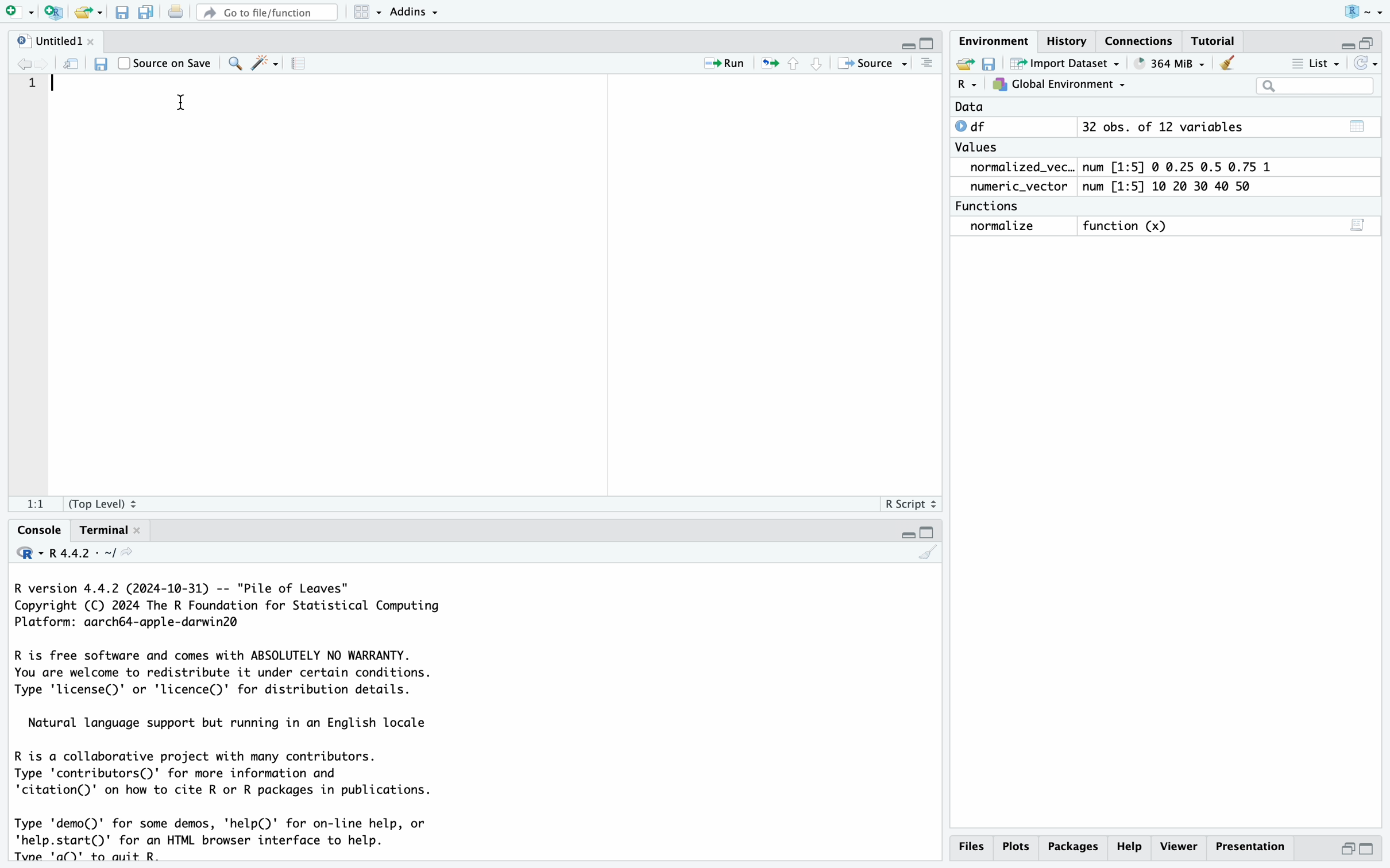  Describe the element at coordinates (72, 63) in the screenshot. I see `Refresh` at that location.